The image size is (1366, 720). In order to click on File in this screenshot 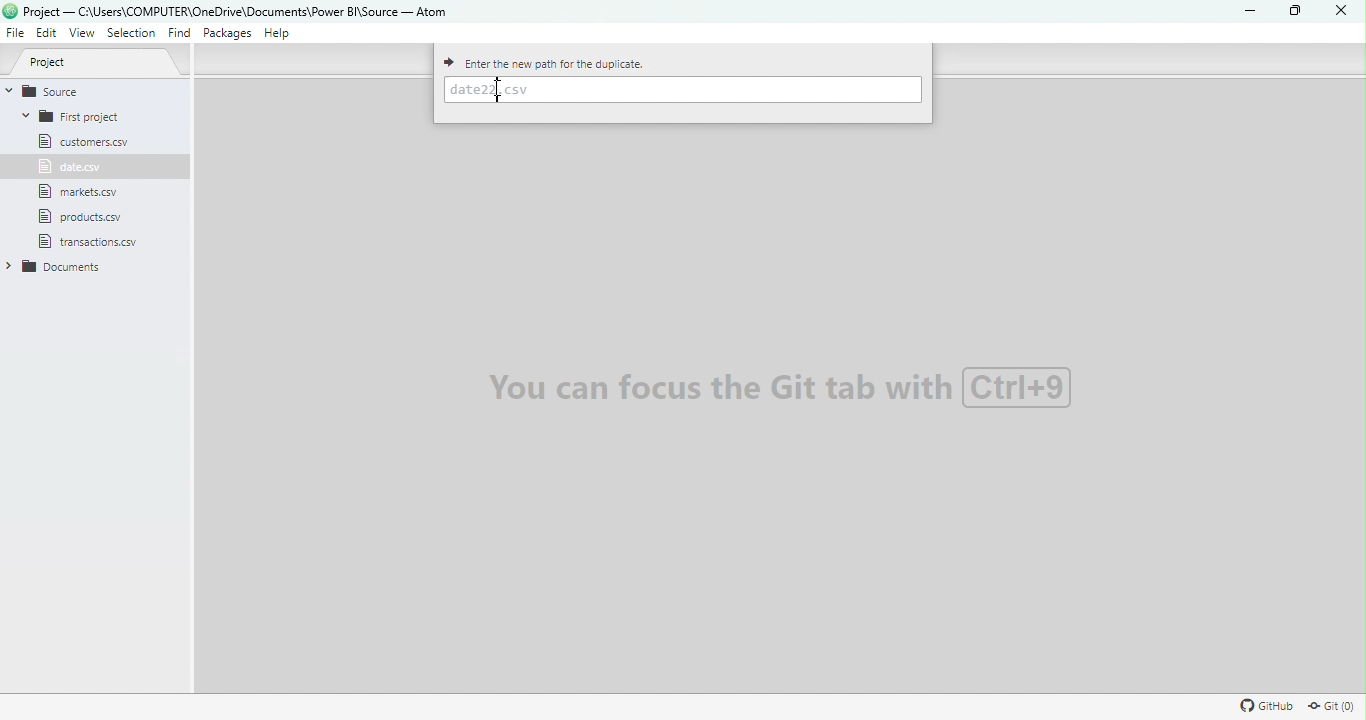, I will do `click(84, 217)`.